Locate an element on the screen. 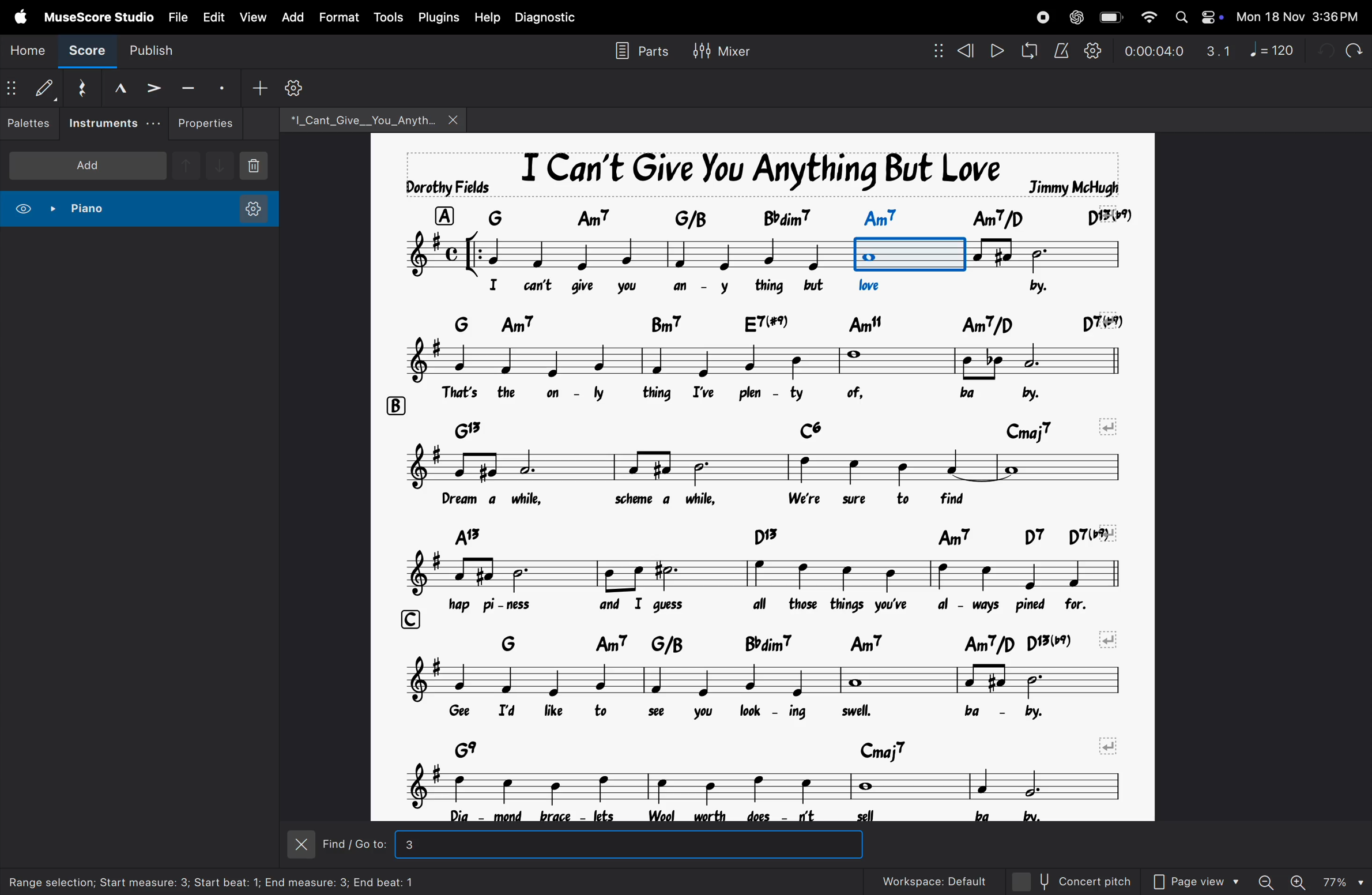  notes is located at coordinates (768, 785).